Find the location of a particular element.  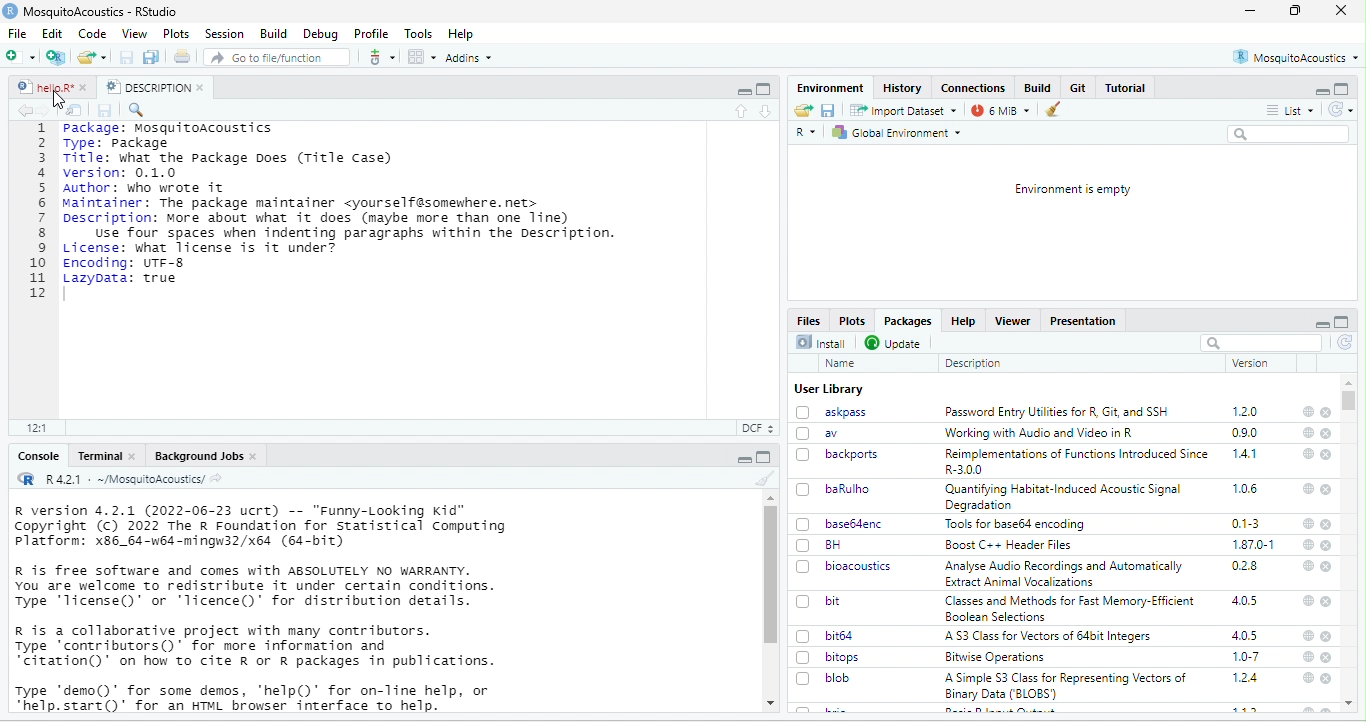

1.4.1 is located at coordinates (1246, 454).